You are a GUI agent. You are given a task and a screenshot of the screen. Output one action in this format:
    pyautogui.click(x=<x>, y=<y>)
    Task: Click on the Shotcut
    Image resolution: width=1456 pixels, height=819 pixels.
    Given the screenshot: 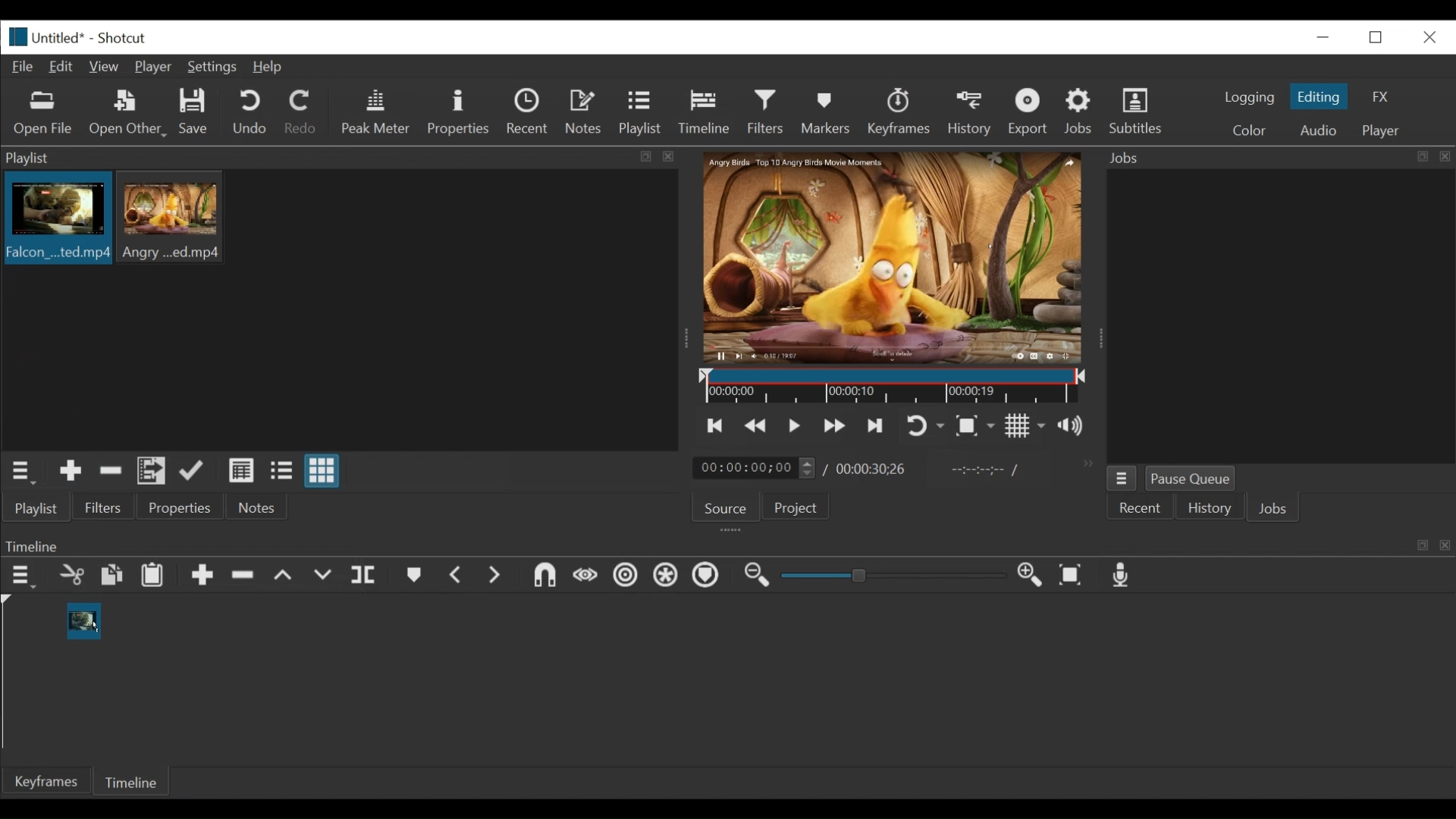 What is the action you would take?
    pyautogui.click(x=121, y=39)
    